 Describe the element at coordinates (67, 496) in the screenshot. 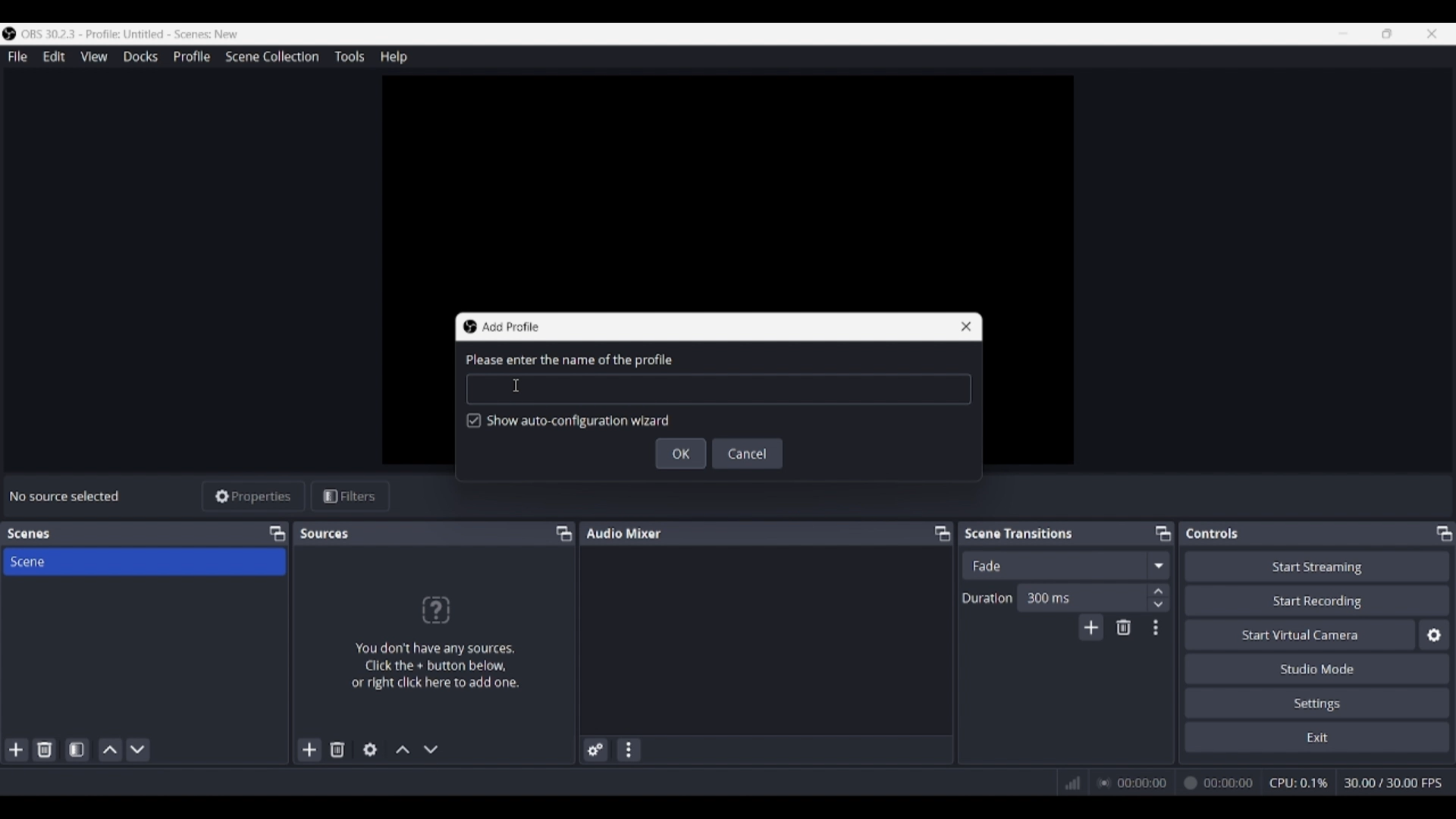

I see `Source status` at that location.